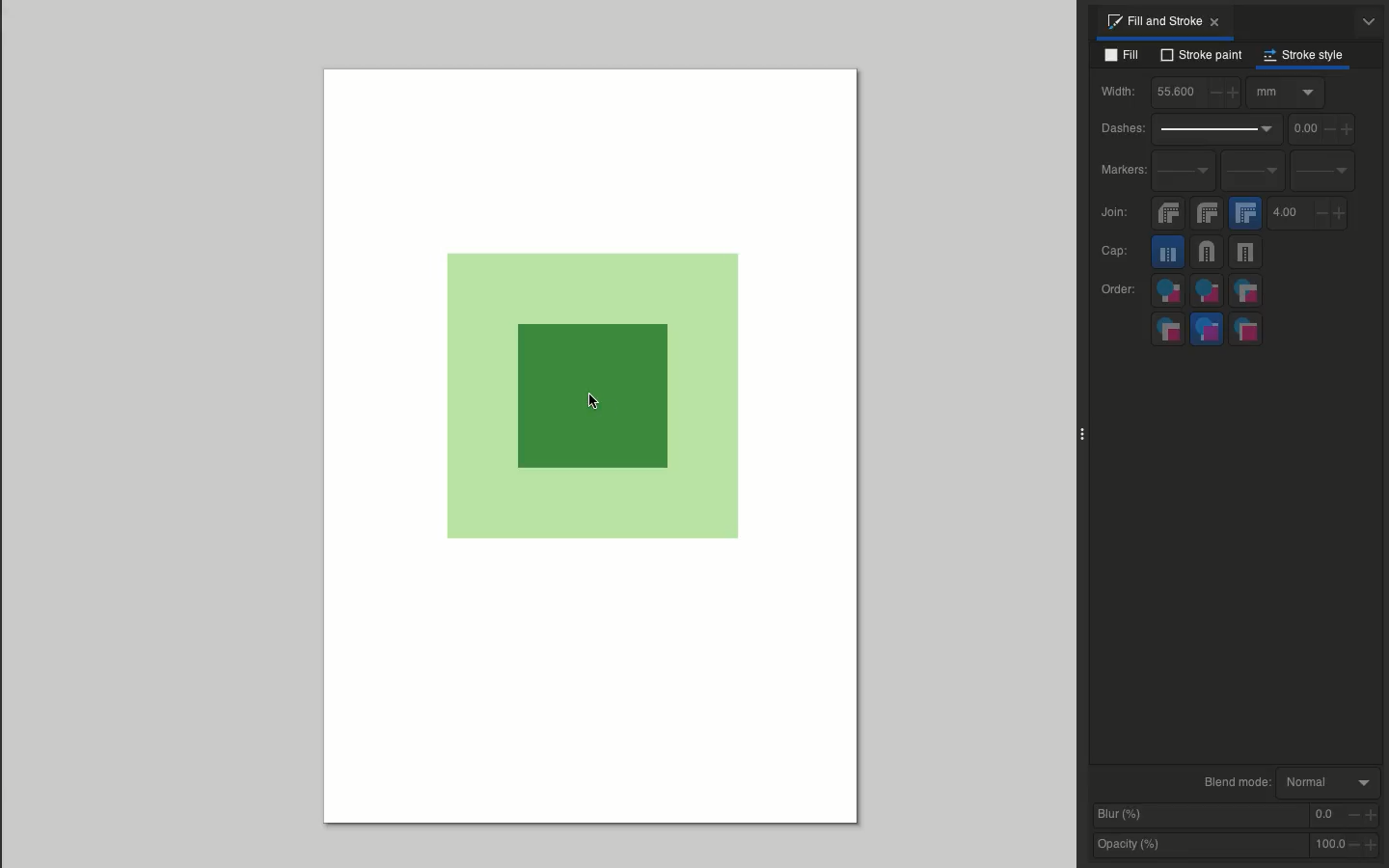 The width and height of the screenshot is (1389, 868). I want to click on Options, so click(1287, 92).